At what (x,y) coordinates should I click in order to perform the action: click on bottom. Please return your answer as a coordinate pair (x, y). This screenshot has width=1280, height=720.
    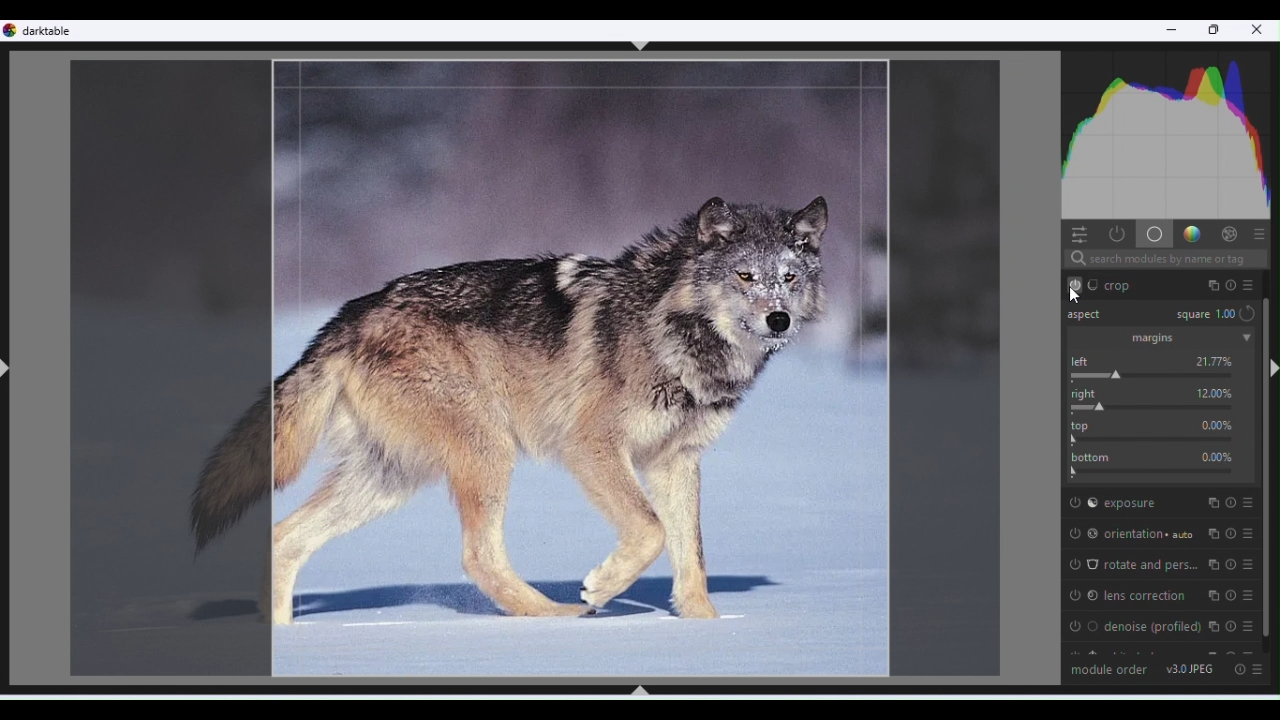
    Looking at the image, I should click on (1161, 470).